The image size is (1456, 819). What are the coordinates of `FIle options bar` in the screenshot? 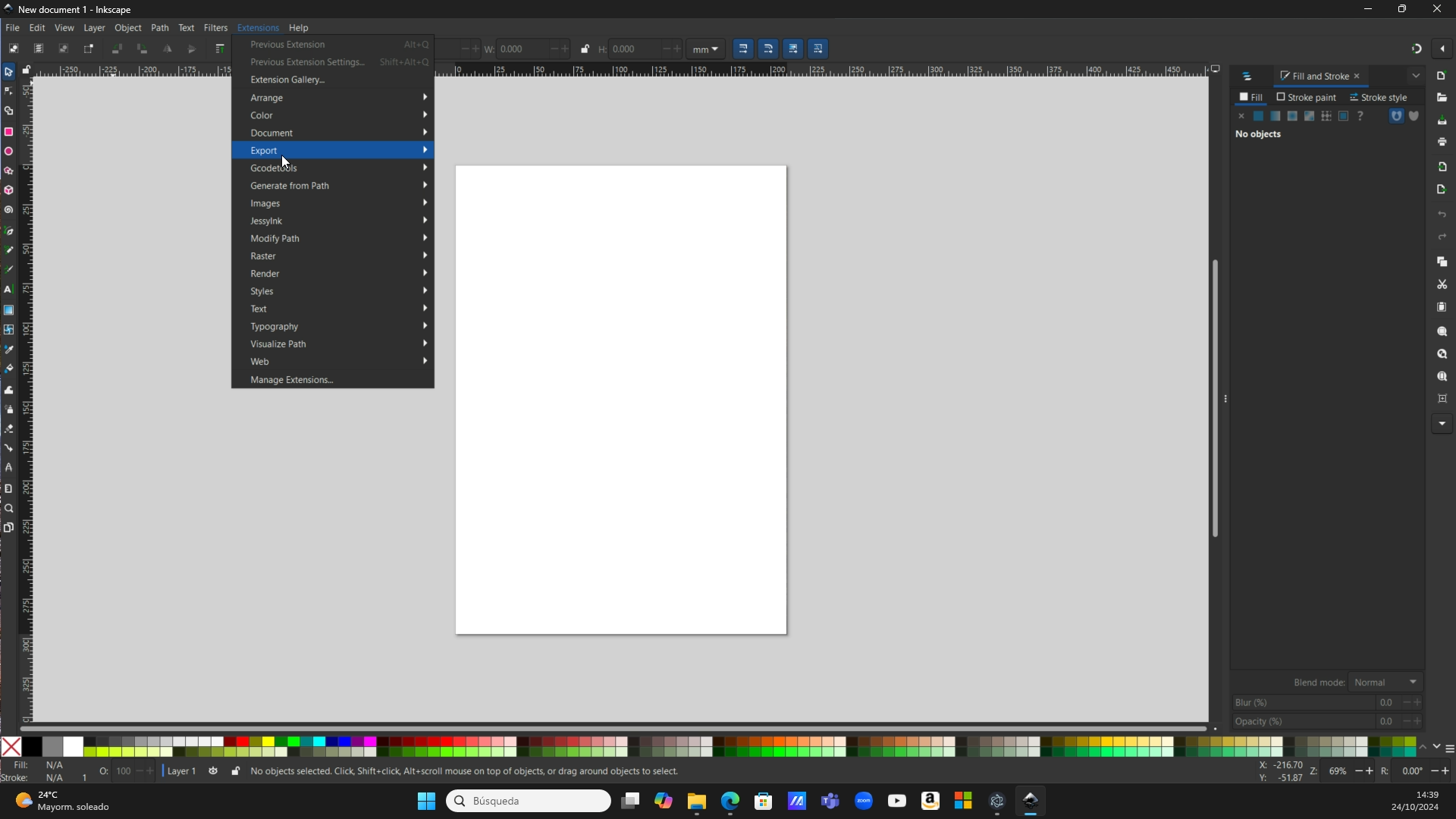 It's located at (1441, 249).